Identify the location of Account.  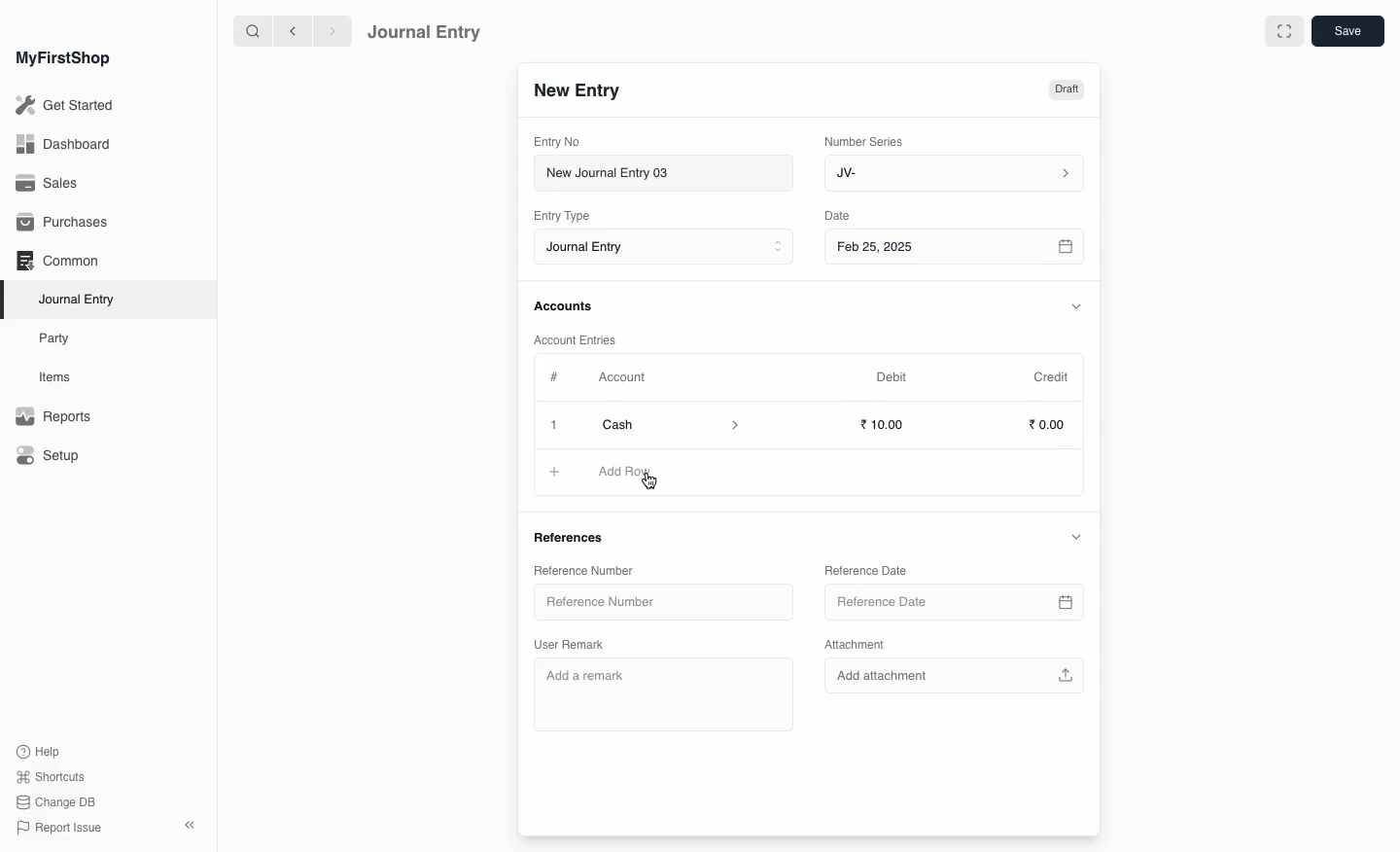
(621, 377).